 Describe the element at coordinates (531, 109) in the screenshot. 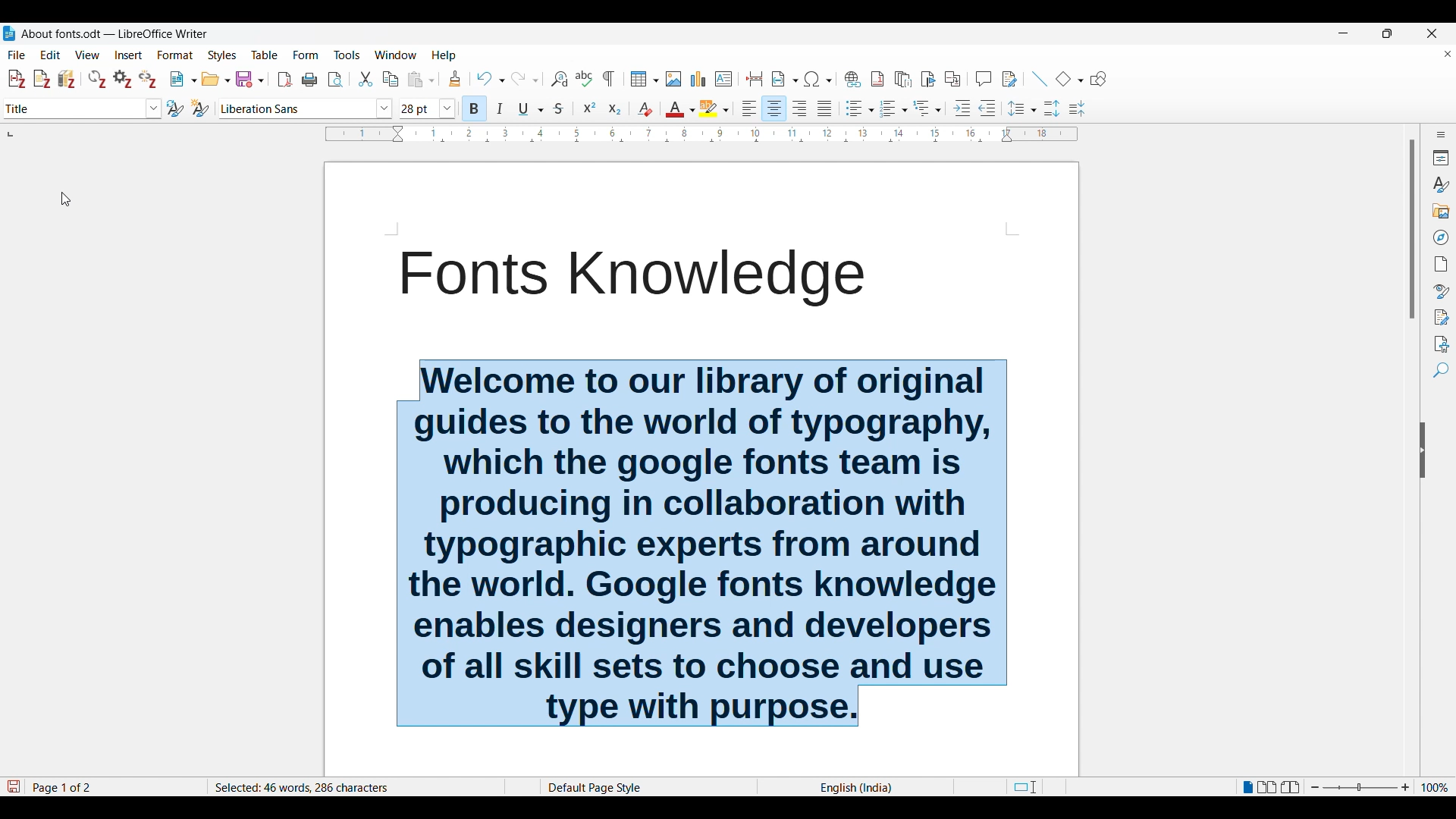

I see `Underline options` at that location.